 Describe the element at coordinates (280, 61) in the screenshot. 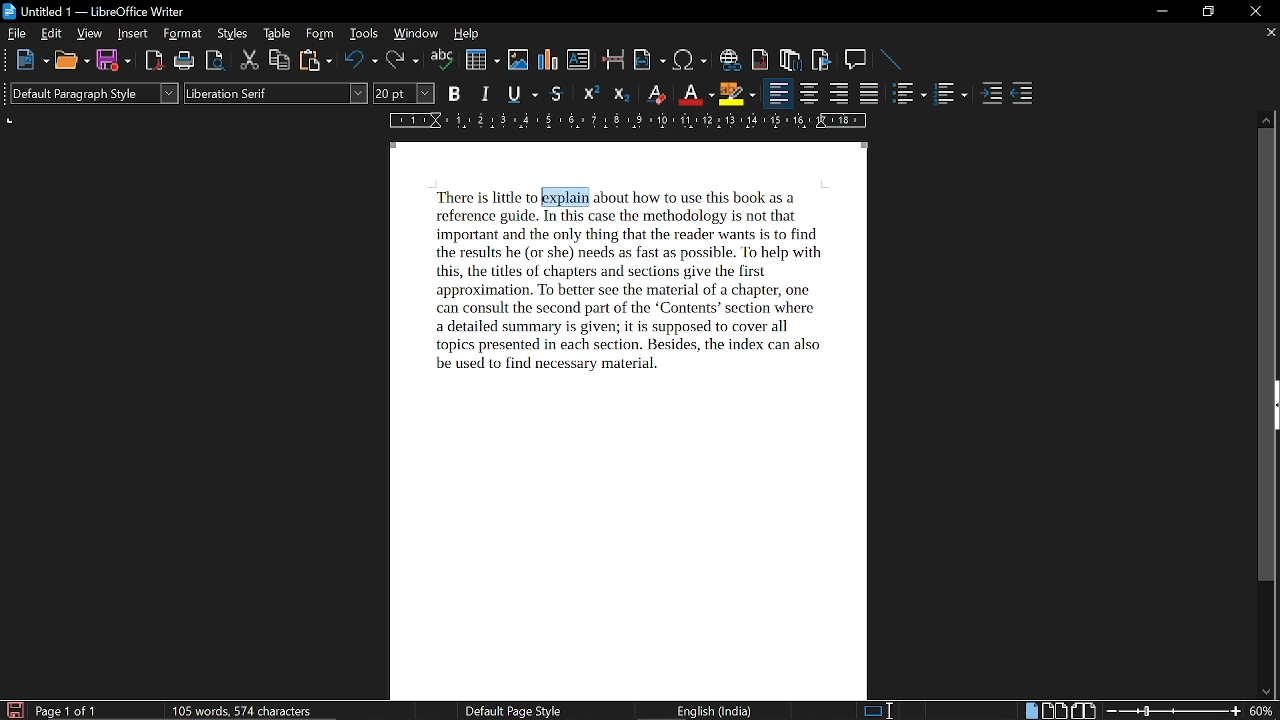

I see `copy` at that location.